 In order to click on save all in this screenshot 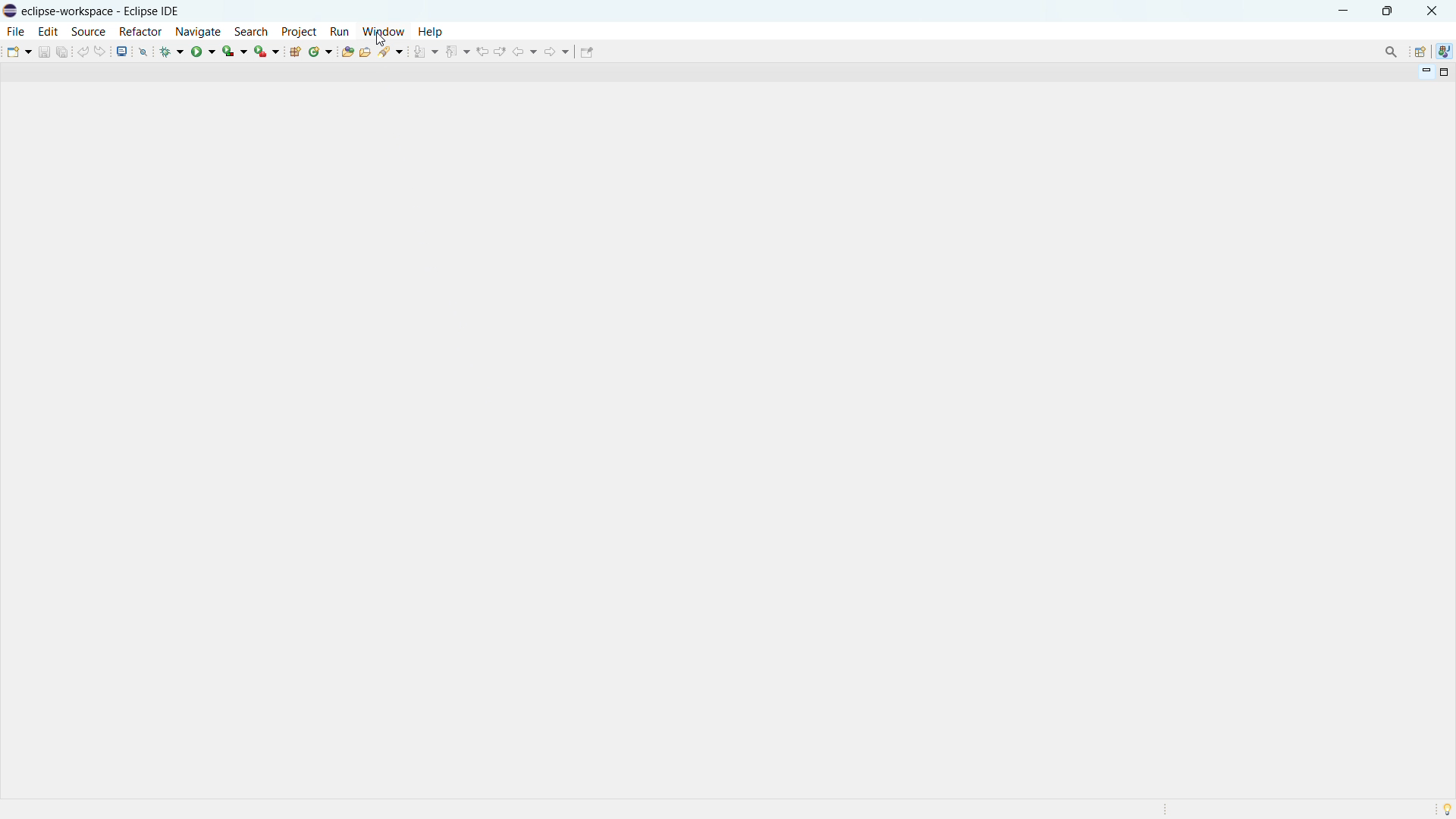, I will do `click(63, 51)`.